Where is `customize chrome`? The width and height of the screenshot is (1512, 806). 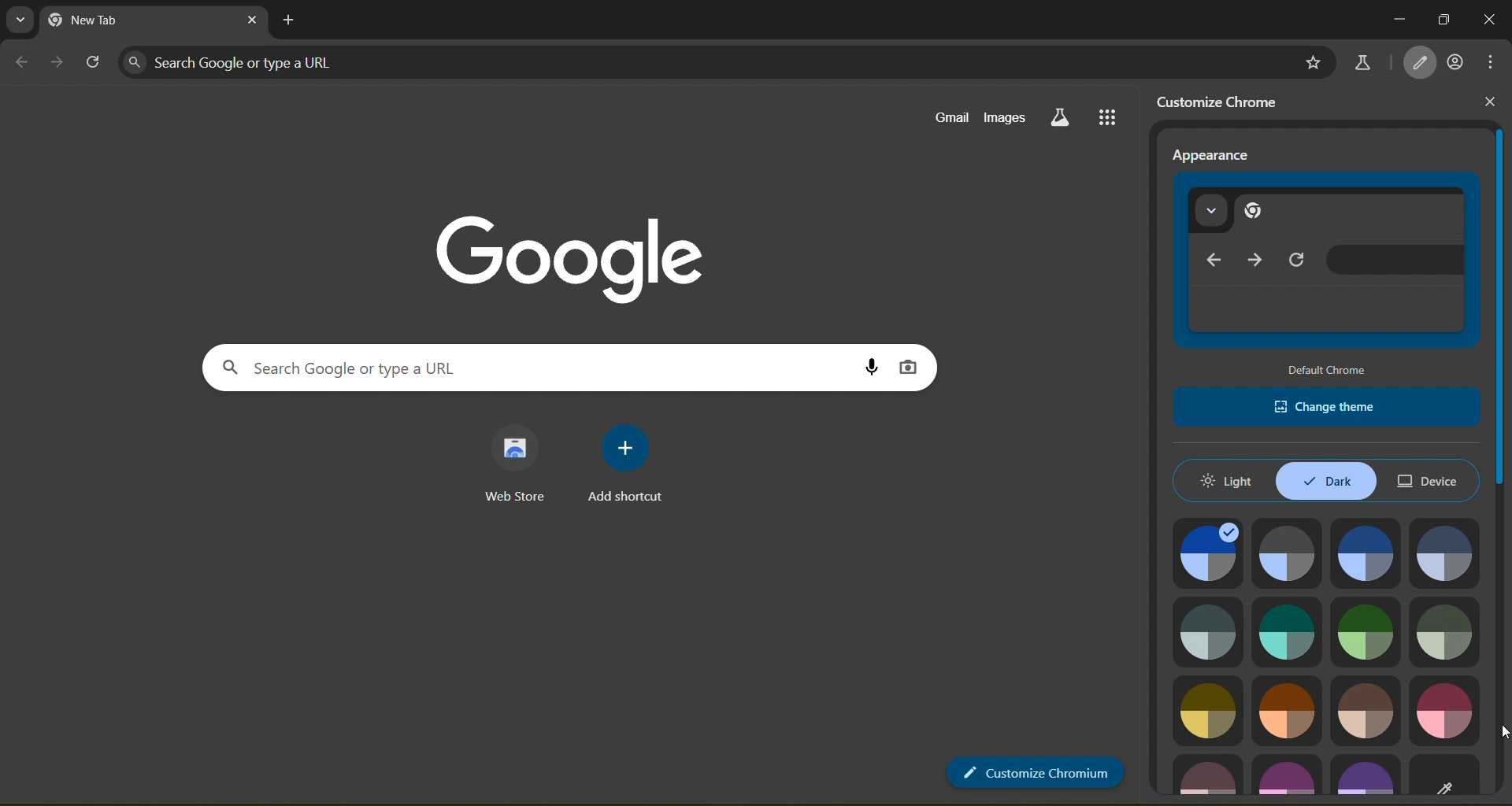 customize chrome is located at coordinates (1228, 103).